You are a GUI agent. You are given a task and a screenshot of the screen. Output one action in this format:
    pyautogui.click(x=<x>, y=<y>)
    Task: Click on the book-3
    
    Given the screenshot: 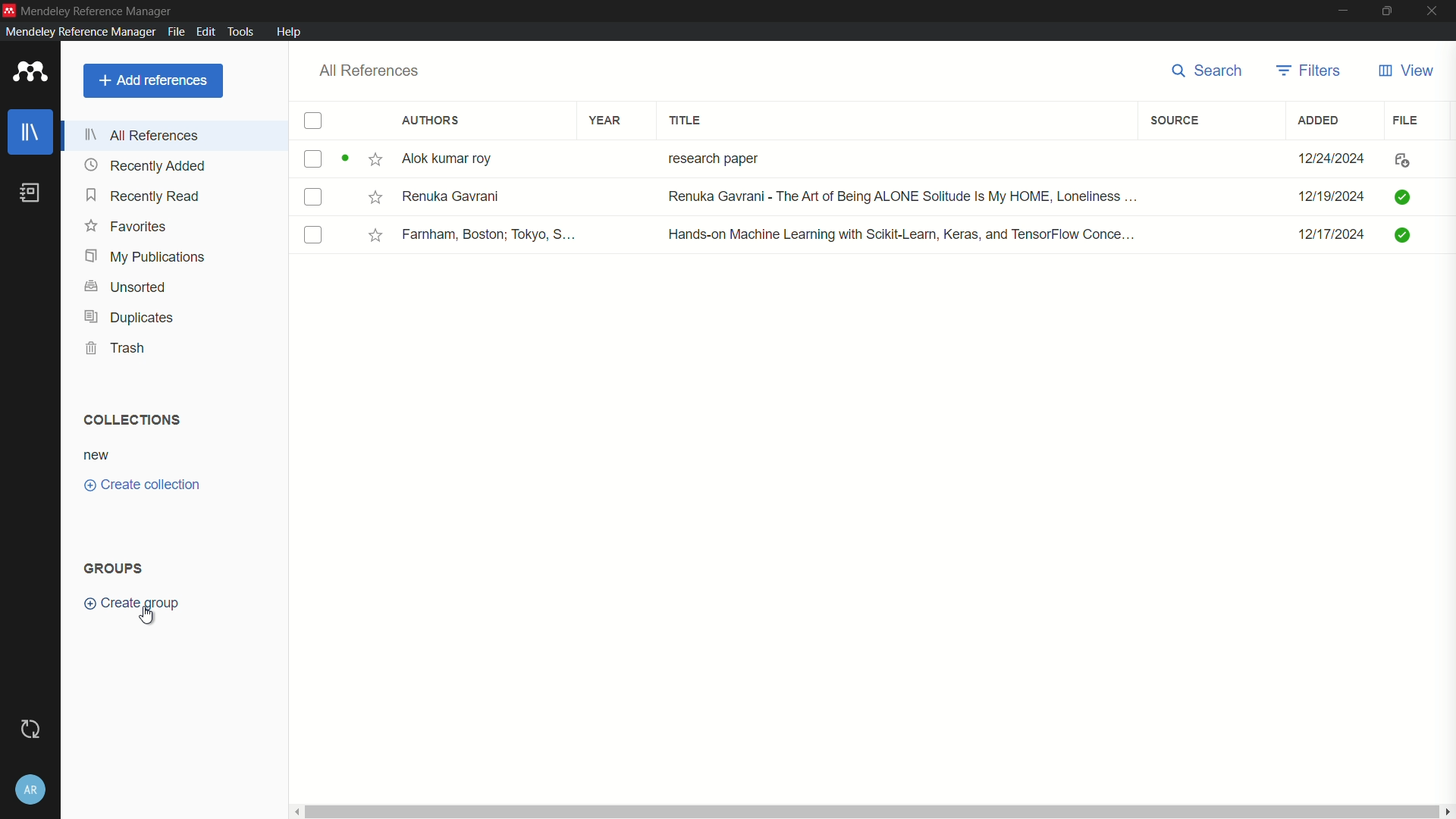 What is the action you would take?
    pyautogui.click(x=314, y=236)
    